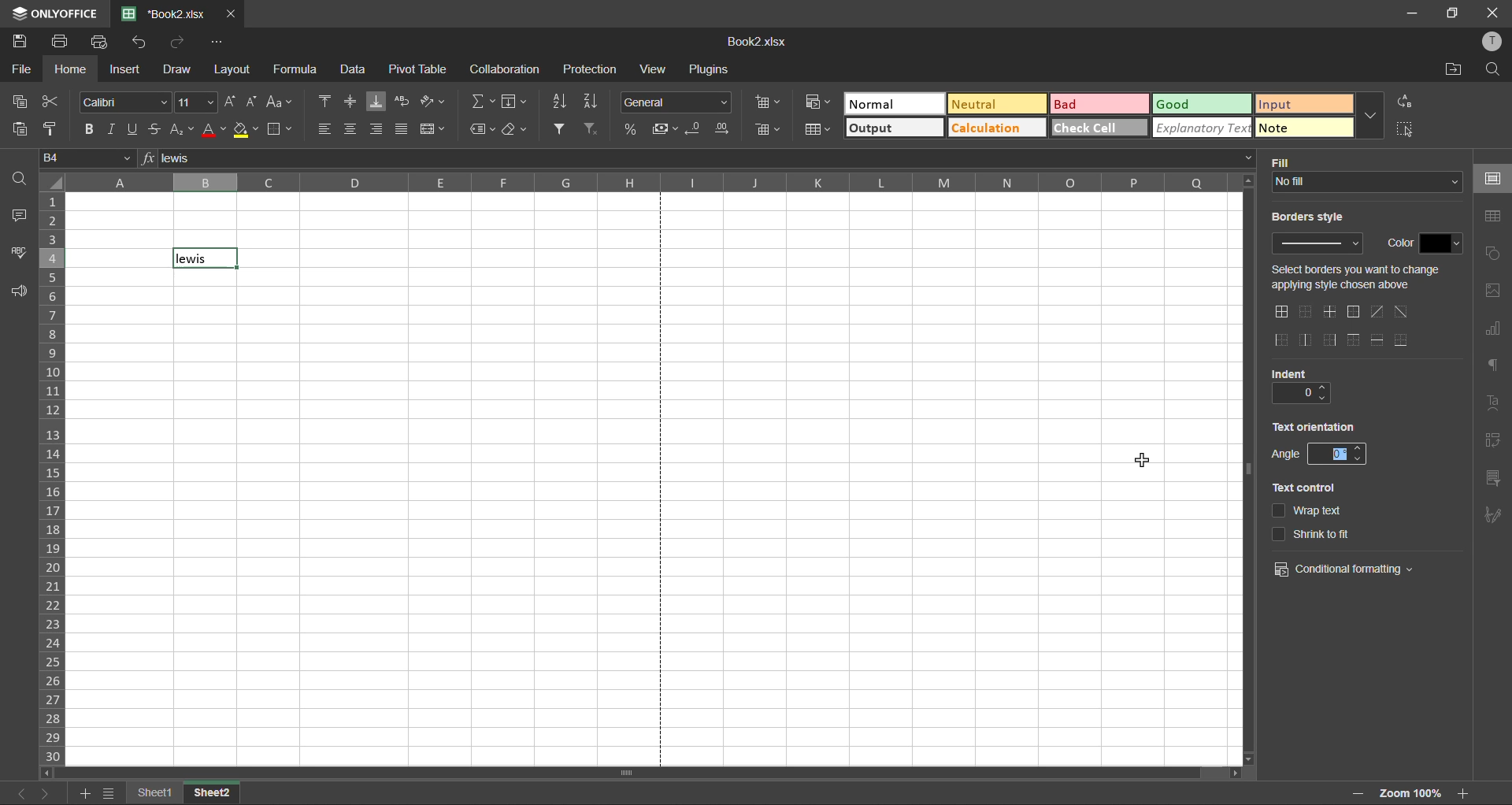 The width and height of the screenshot is (1512, 805). What do you see at coordinates (154, 130) in the screenshot?
I see `strikethrough` at bounding box center [154, 130].